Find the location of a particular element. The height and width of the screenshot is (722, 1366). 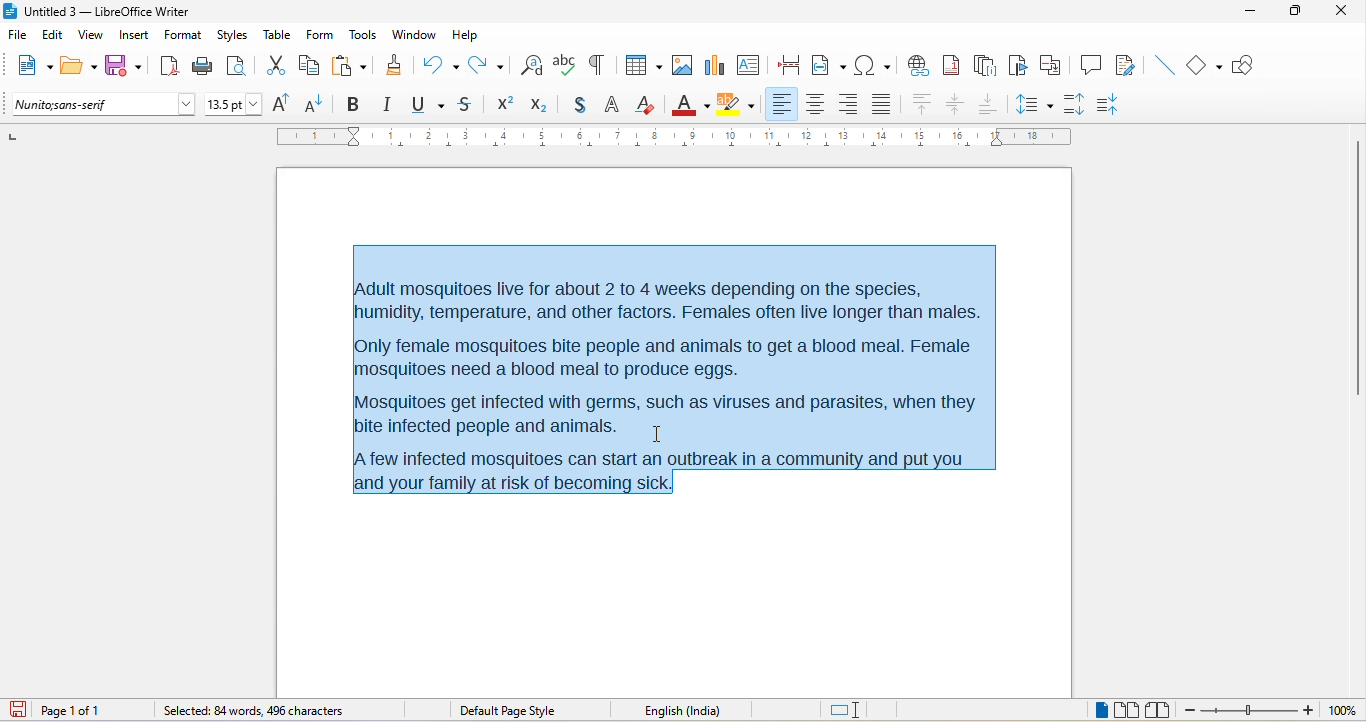

align center is located at coordinates (816, 105).